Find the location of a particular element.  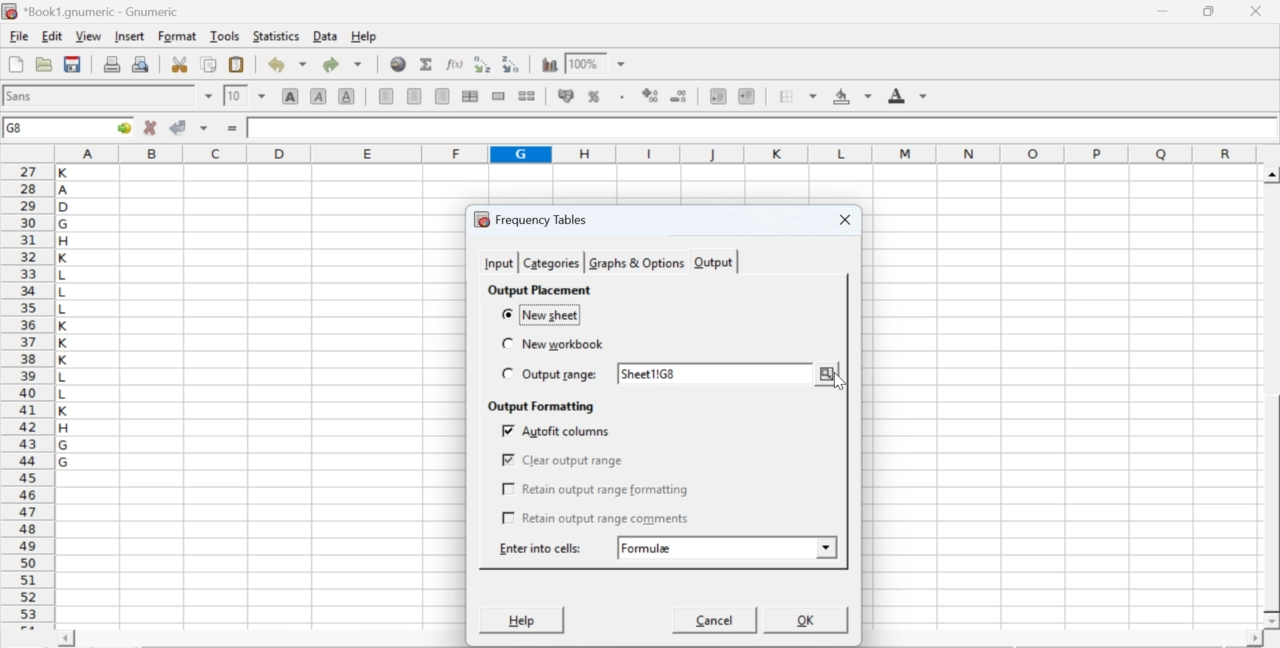

insert is located at coordinates (128, 35).